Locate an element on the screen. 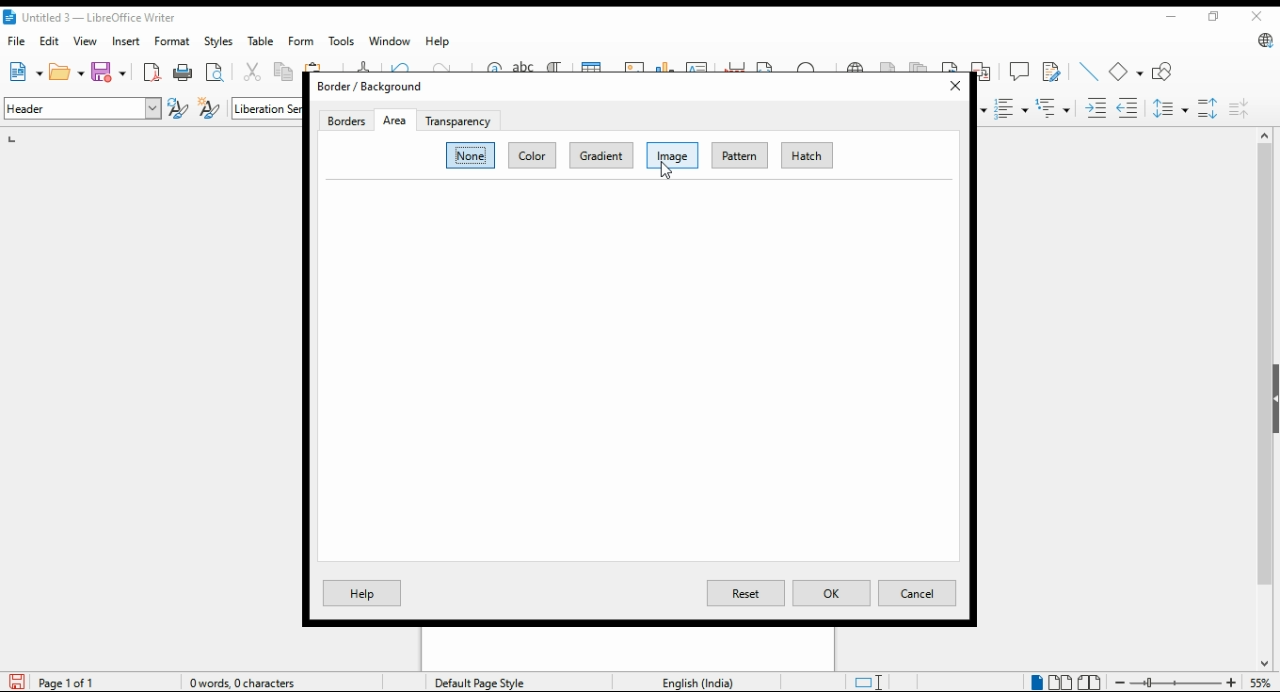 This screenshot has width=1280, height=692. new style from selection is located at coordinates (212, 109).